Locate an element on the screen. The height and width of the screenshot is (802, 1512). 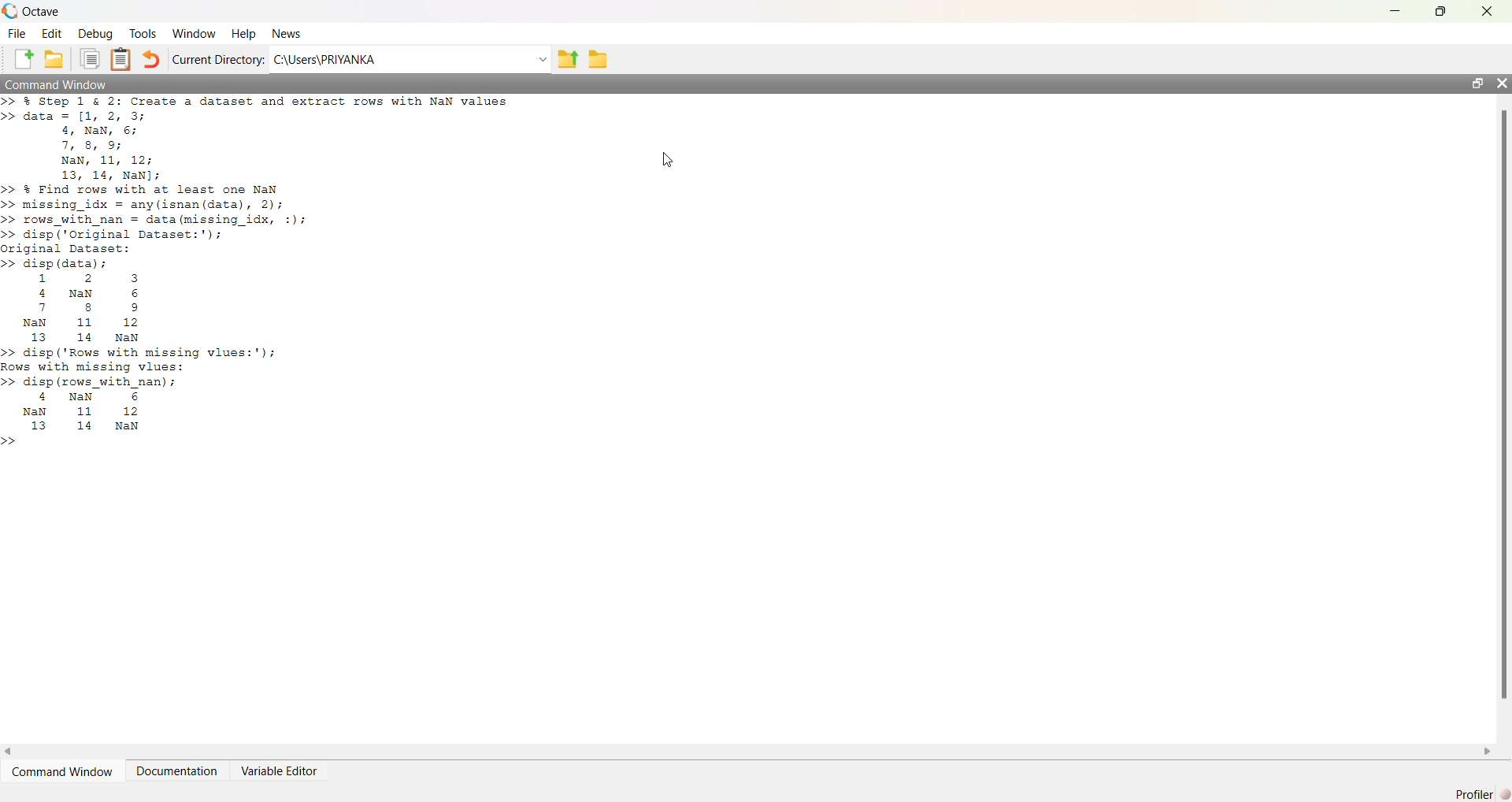
maximize is located at coordinates (1477, 83).